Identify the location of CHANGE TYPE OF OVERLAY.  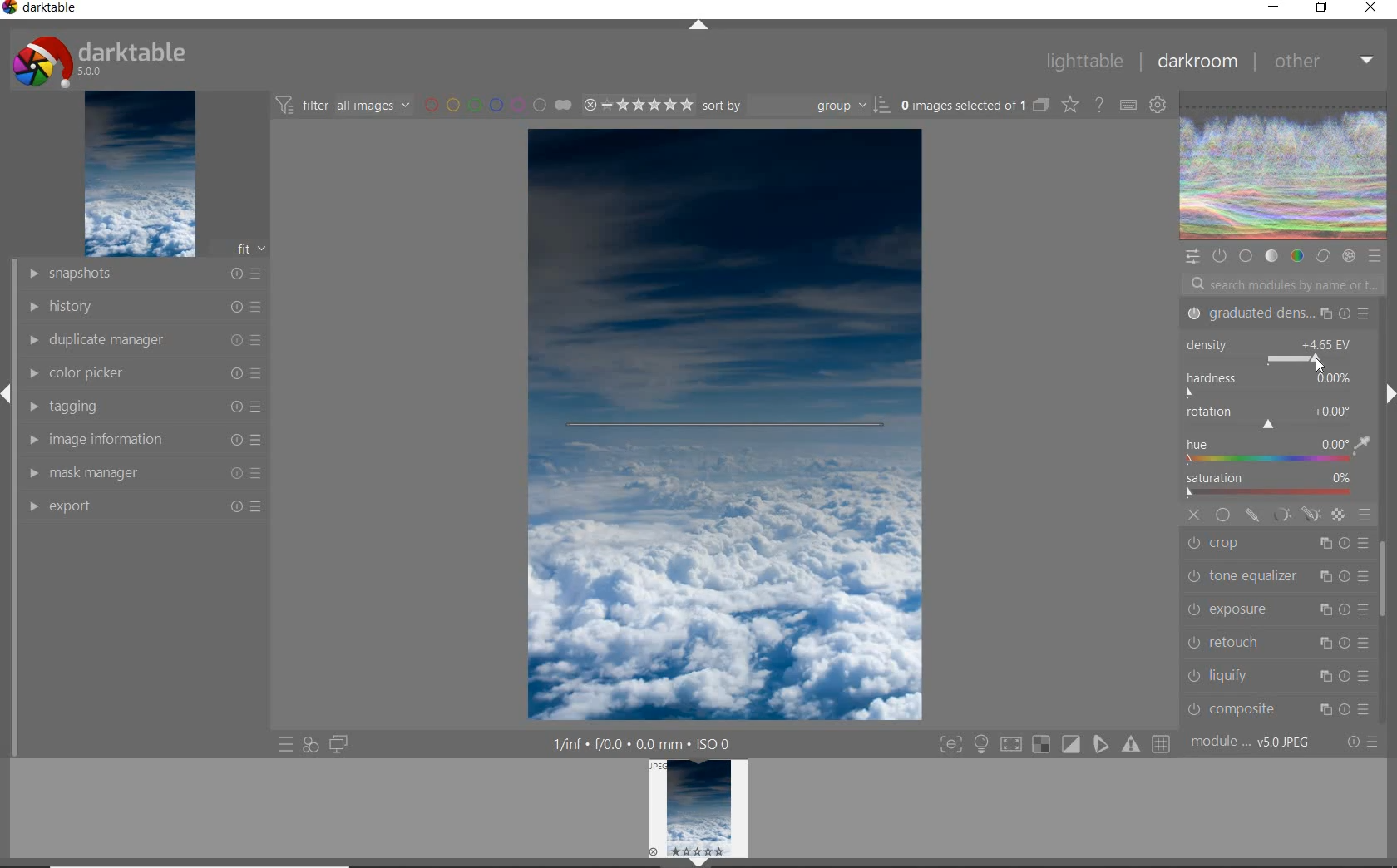
(1069, 106).